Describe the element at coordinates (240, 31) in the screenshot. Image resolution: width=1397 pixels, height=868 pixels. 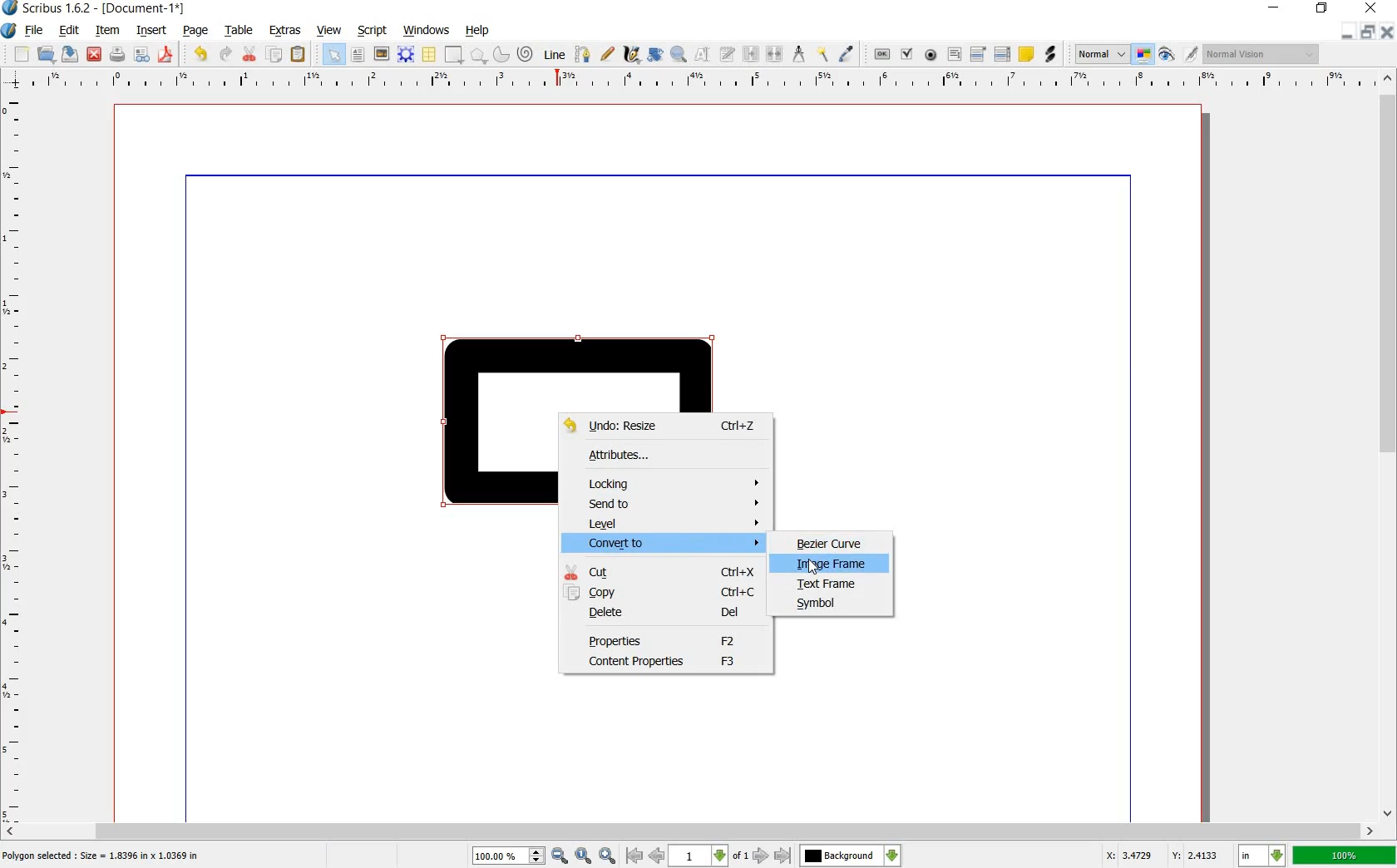
I see `table` at that location.